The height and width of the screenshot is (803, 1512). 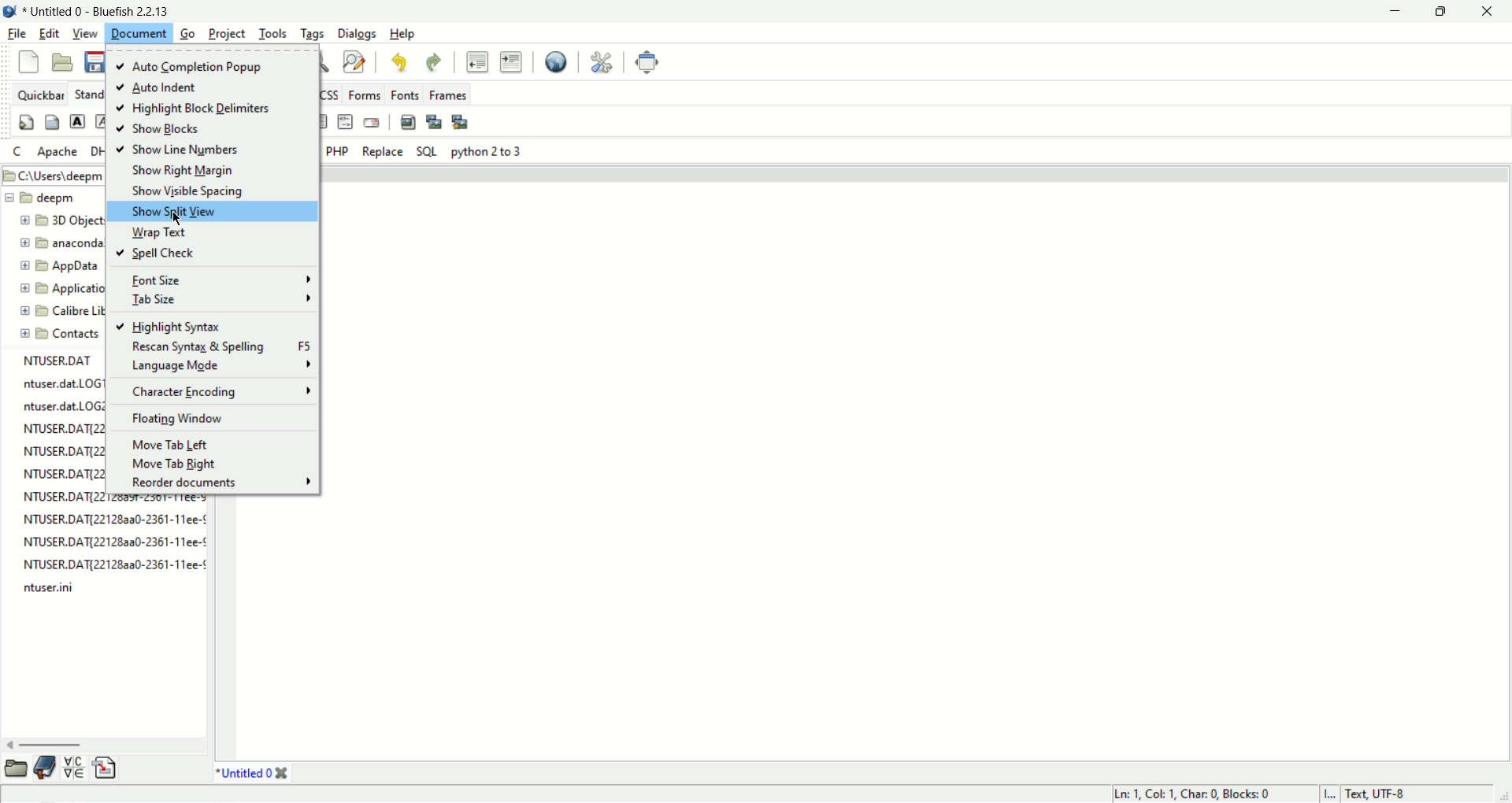 I want to click on standard, so click(x=89, y=93).